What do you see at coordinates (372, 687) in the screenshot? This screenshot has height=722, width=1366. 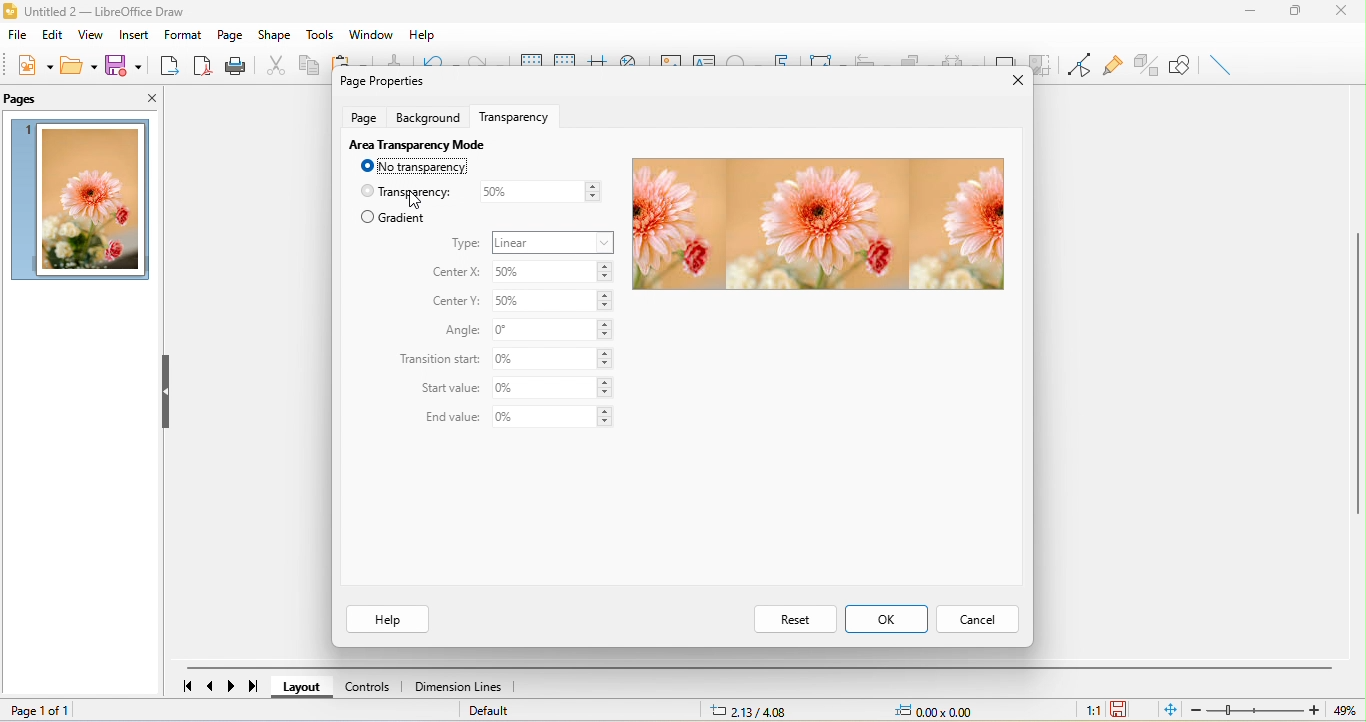 I see `controls` at bounding box center [372, 687].